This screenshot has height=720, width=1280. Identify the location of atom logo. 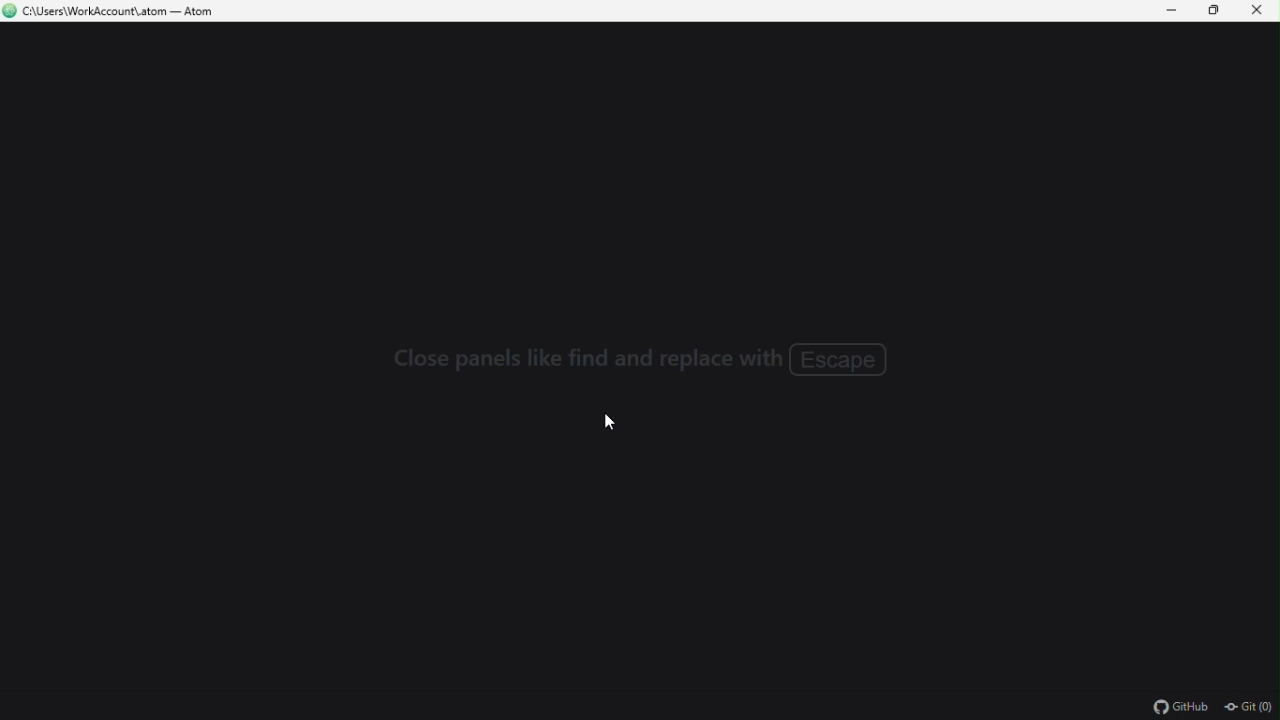
(10, 12).